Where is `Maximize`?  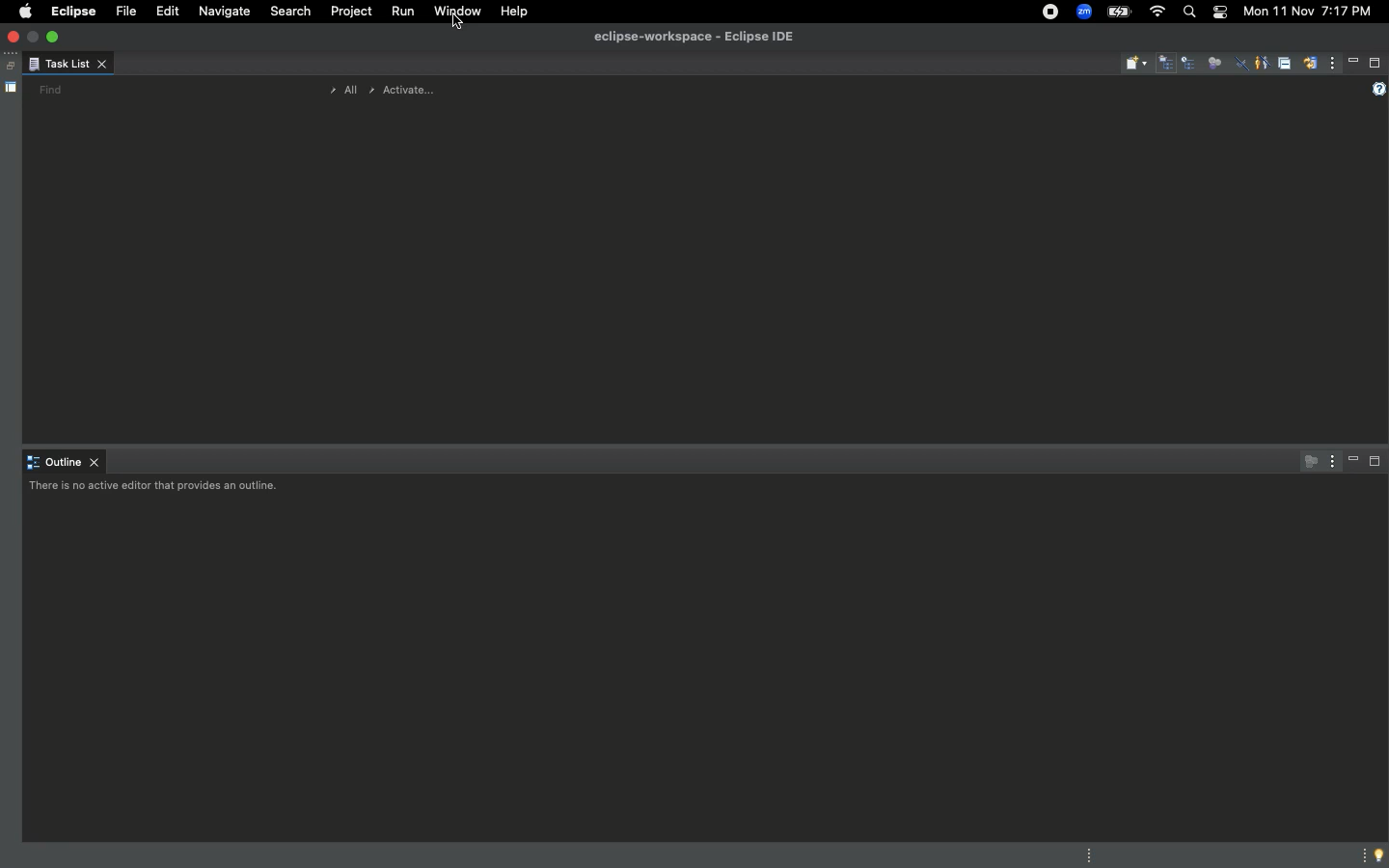
Maximize is located at coordinates (1375, 63).